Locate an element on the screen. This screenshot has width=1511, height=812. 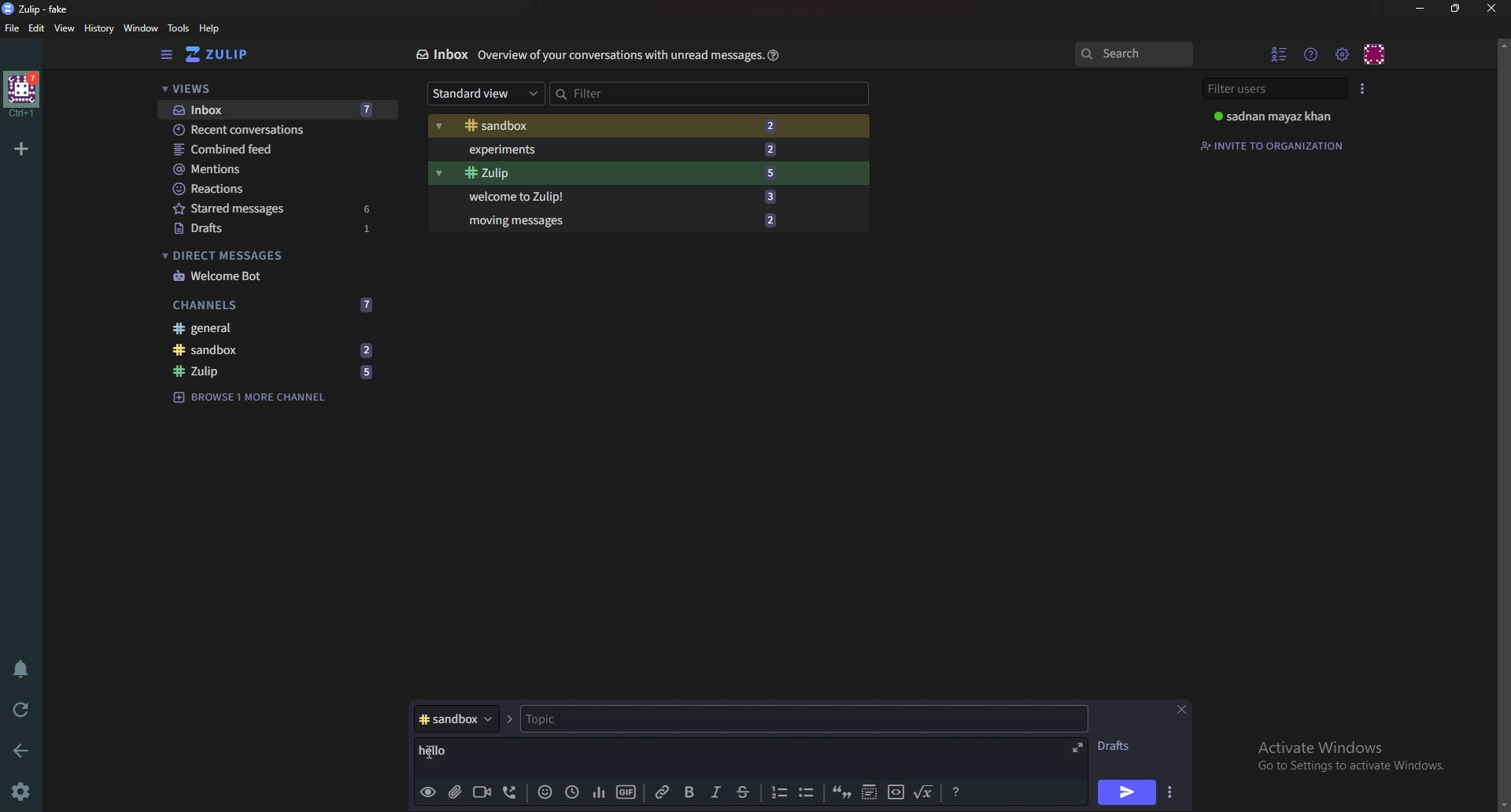
Reactions is located at coordinates (269, 187).